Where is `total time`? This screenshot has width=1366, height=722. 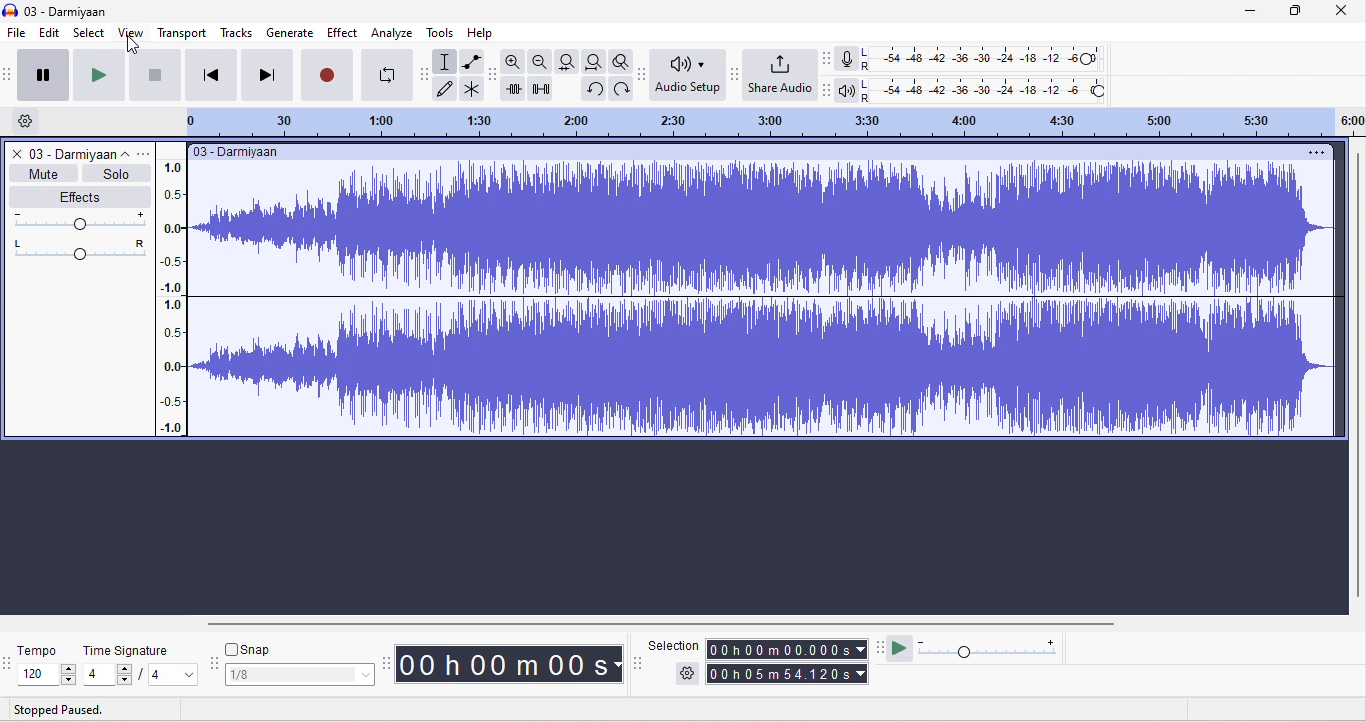 total time is located at coordinates (788, 674).